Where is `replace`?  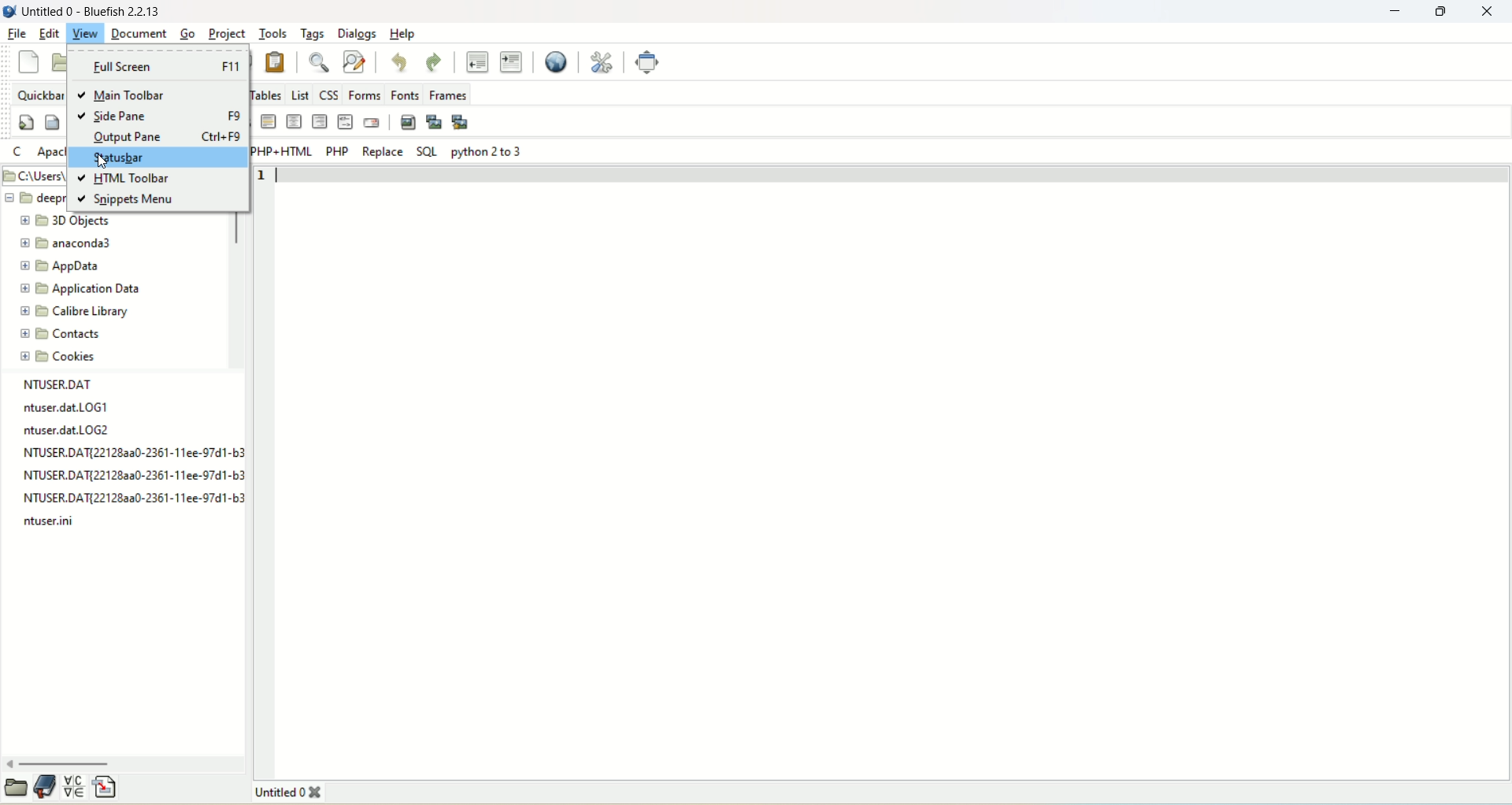
replace is located at coordinates (380, 151).